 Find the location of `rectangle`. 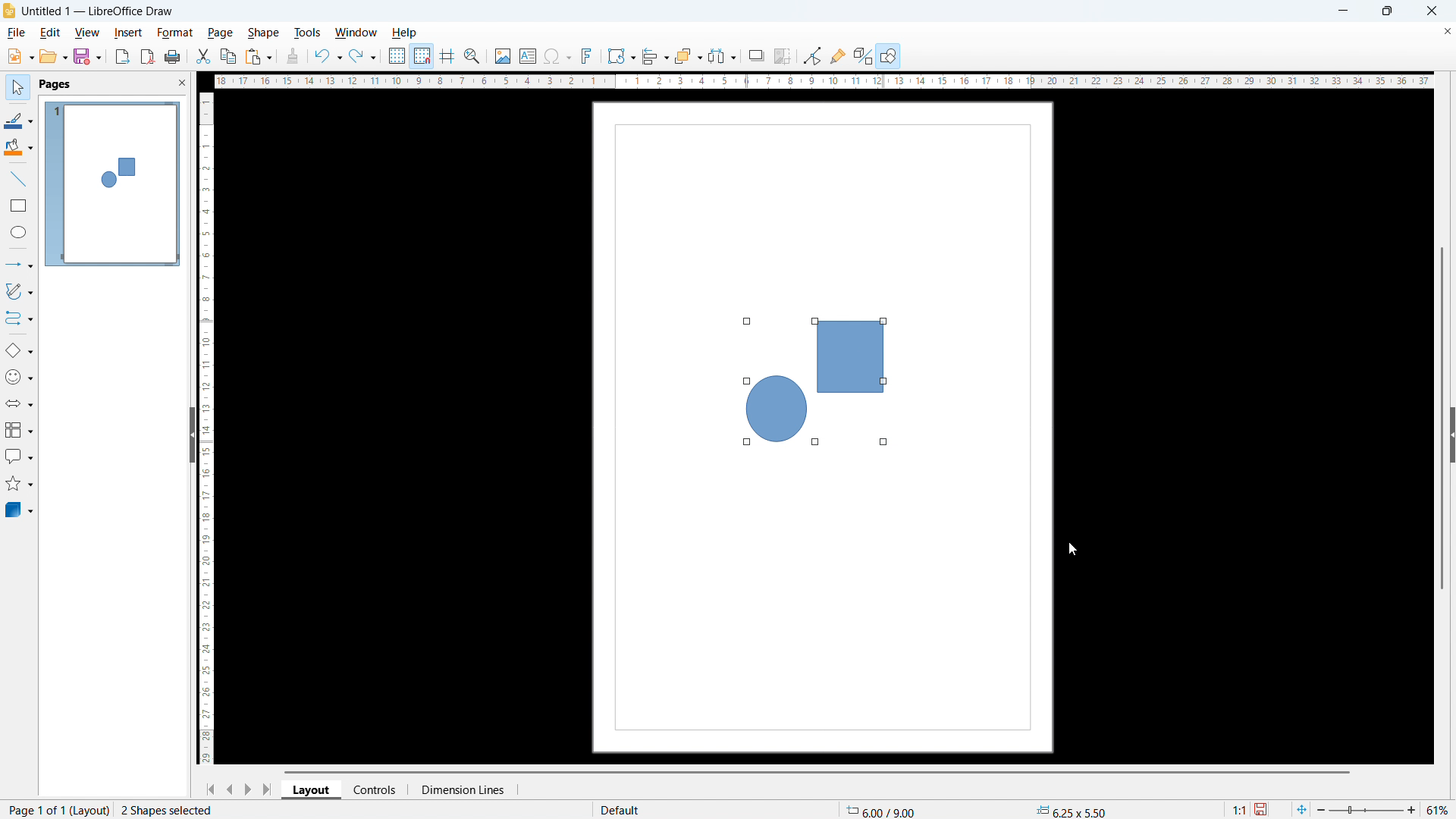

rectangle is located at coordinates (18, 205).